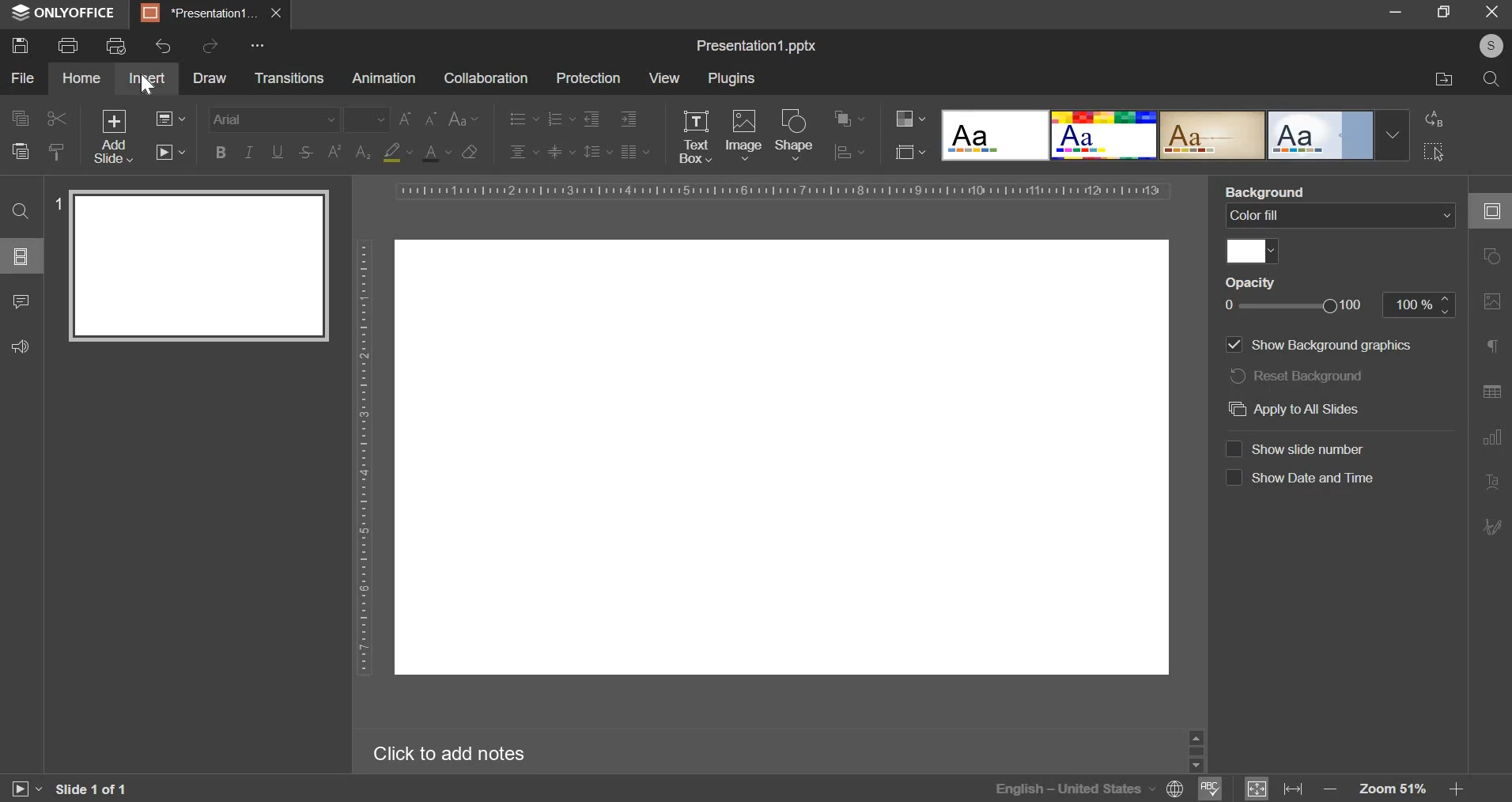 This screenshot has height=802, width=1512. Describe the element at coordinates (116, 45) in the screenshot. I see `print preview` at that location.